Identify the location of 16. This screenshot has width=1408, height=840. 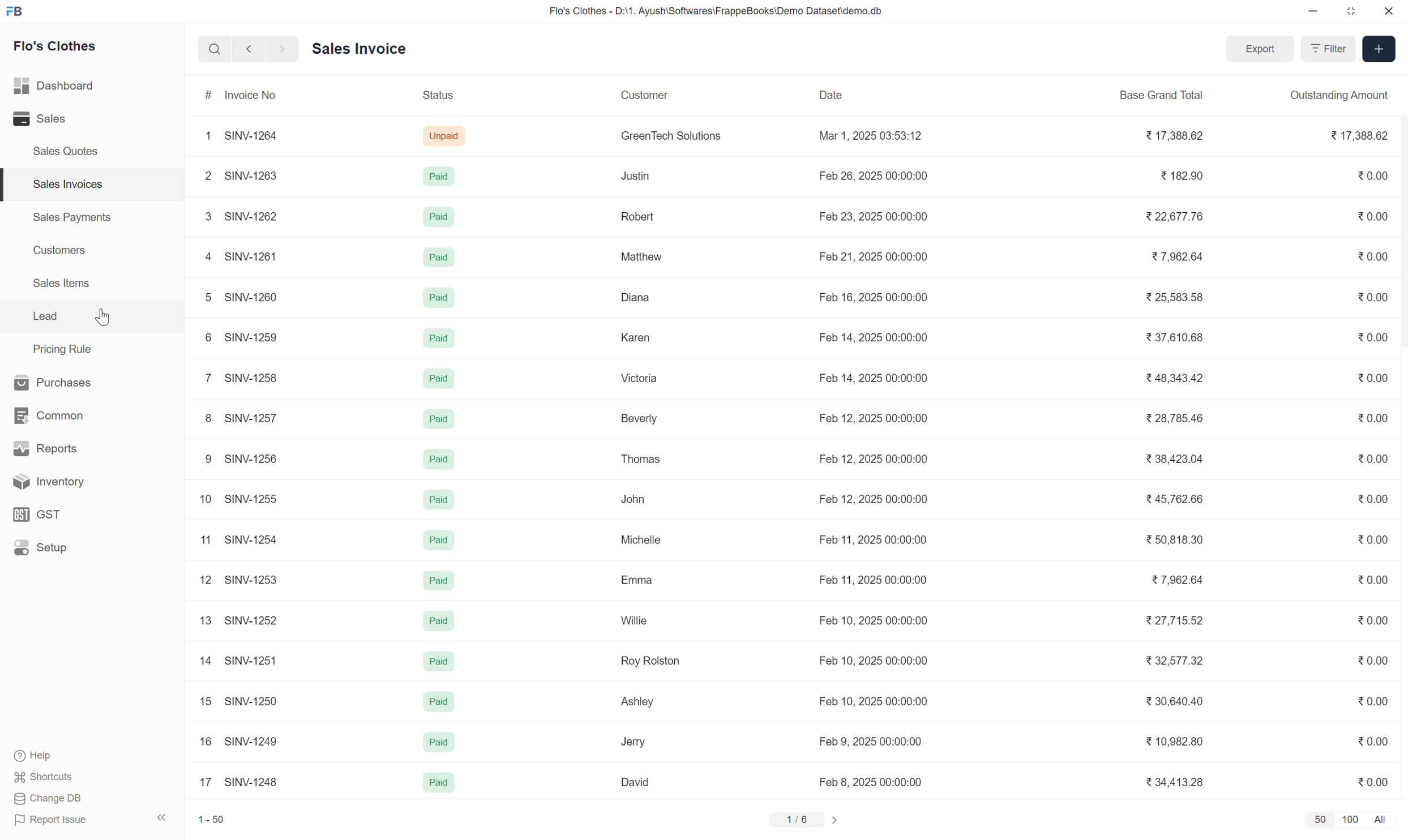
(200, 740).